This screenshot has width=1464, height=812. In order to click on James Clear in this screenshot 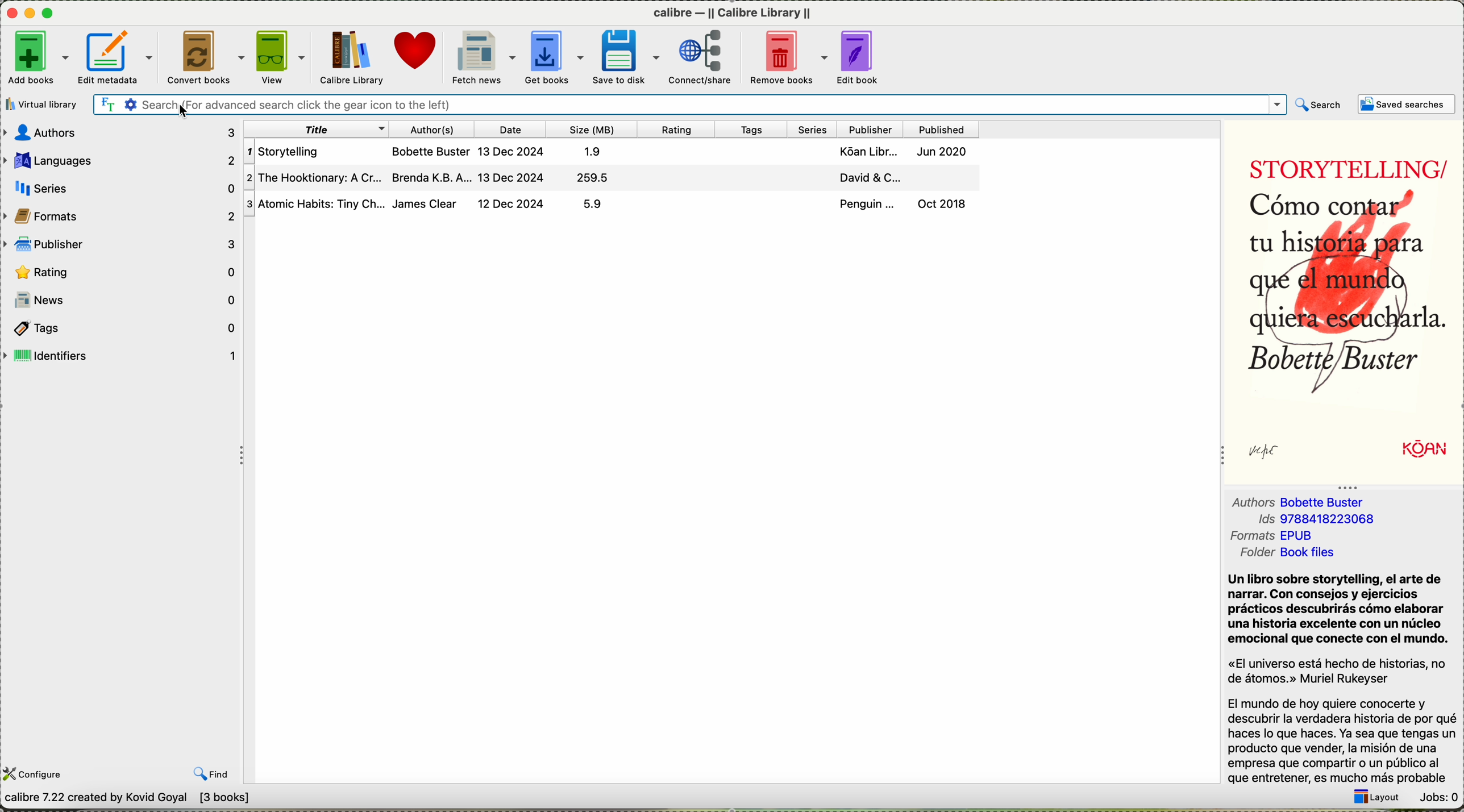, I will do `click(429, 204)`.